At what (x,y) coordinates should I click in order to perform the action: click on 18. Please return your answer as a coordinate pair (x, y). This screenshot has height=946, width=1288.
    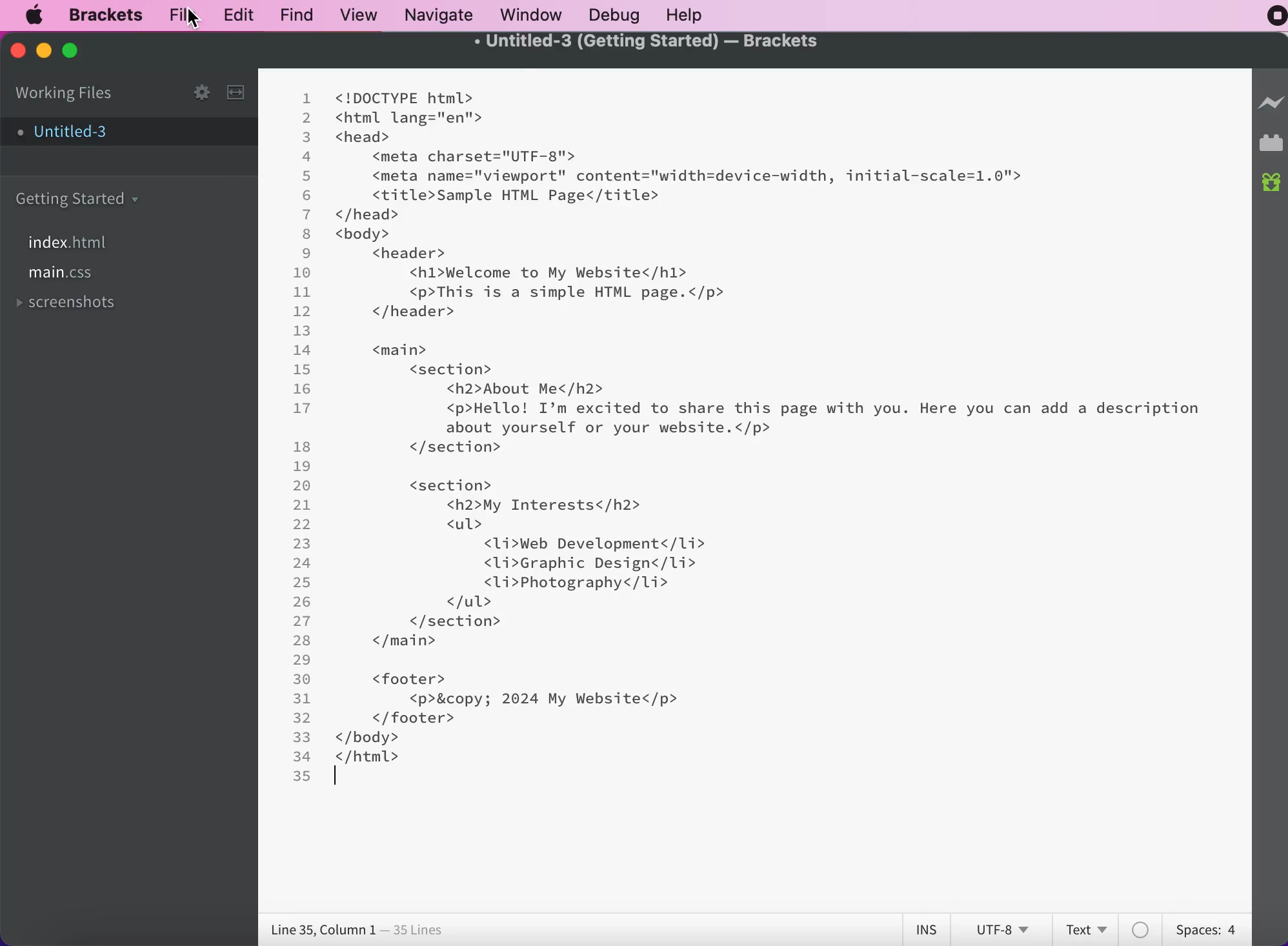
    Looking at the image, I should click on (303, 446).